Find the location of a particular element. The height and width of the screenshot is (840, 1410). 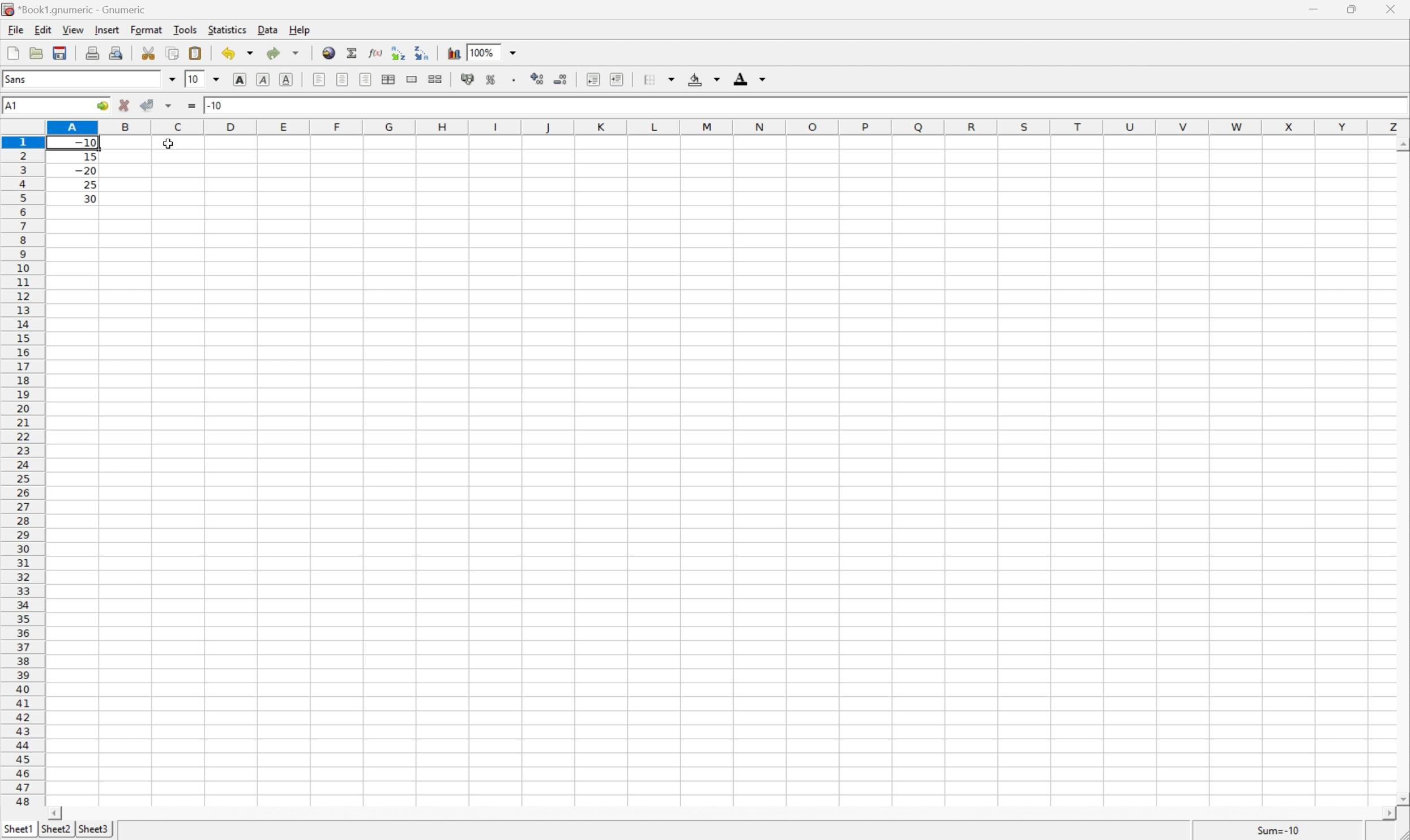

sheet2 is located at coordinates (55, 830).